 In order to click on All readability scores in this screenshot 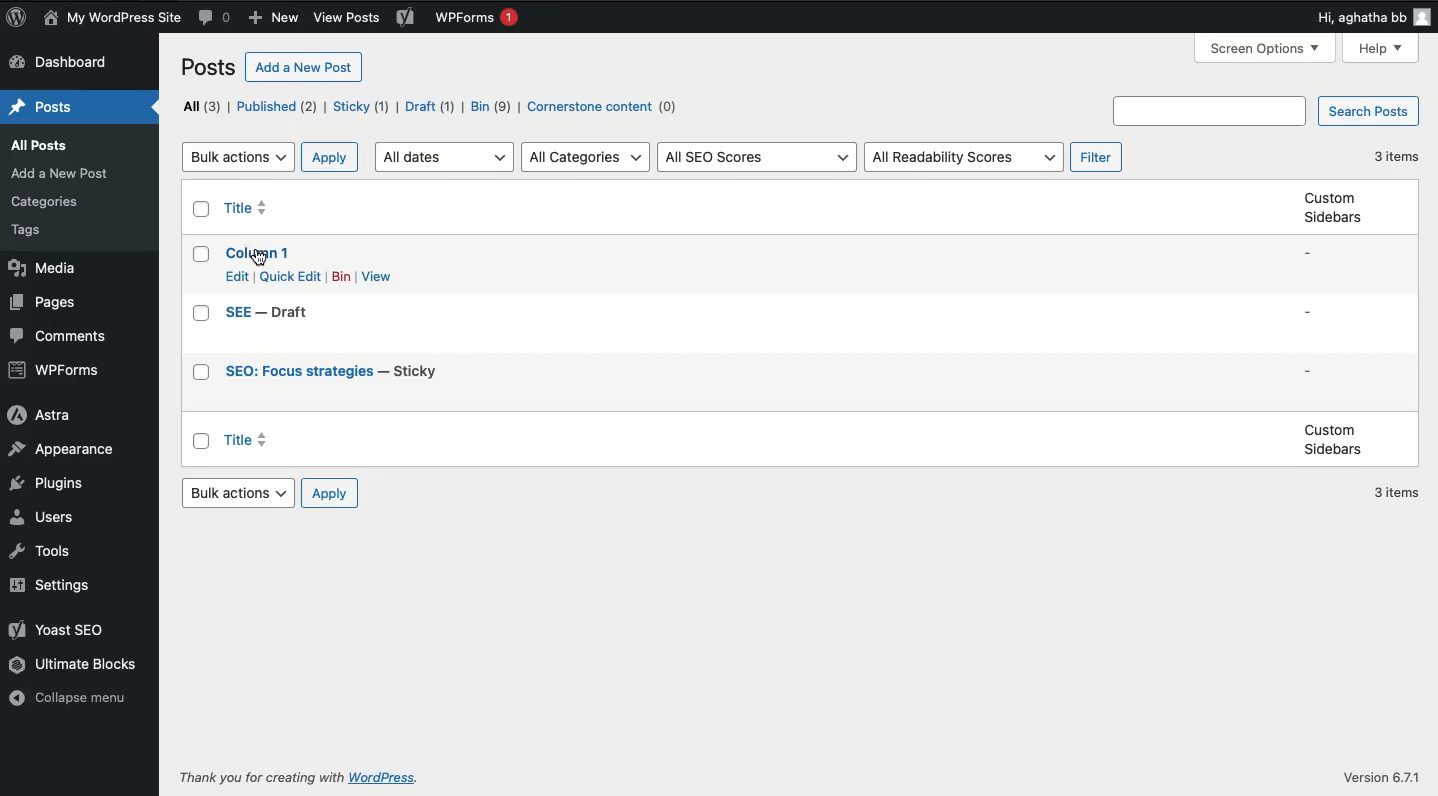, I will do `click(962, 156)`.